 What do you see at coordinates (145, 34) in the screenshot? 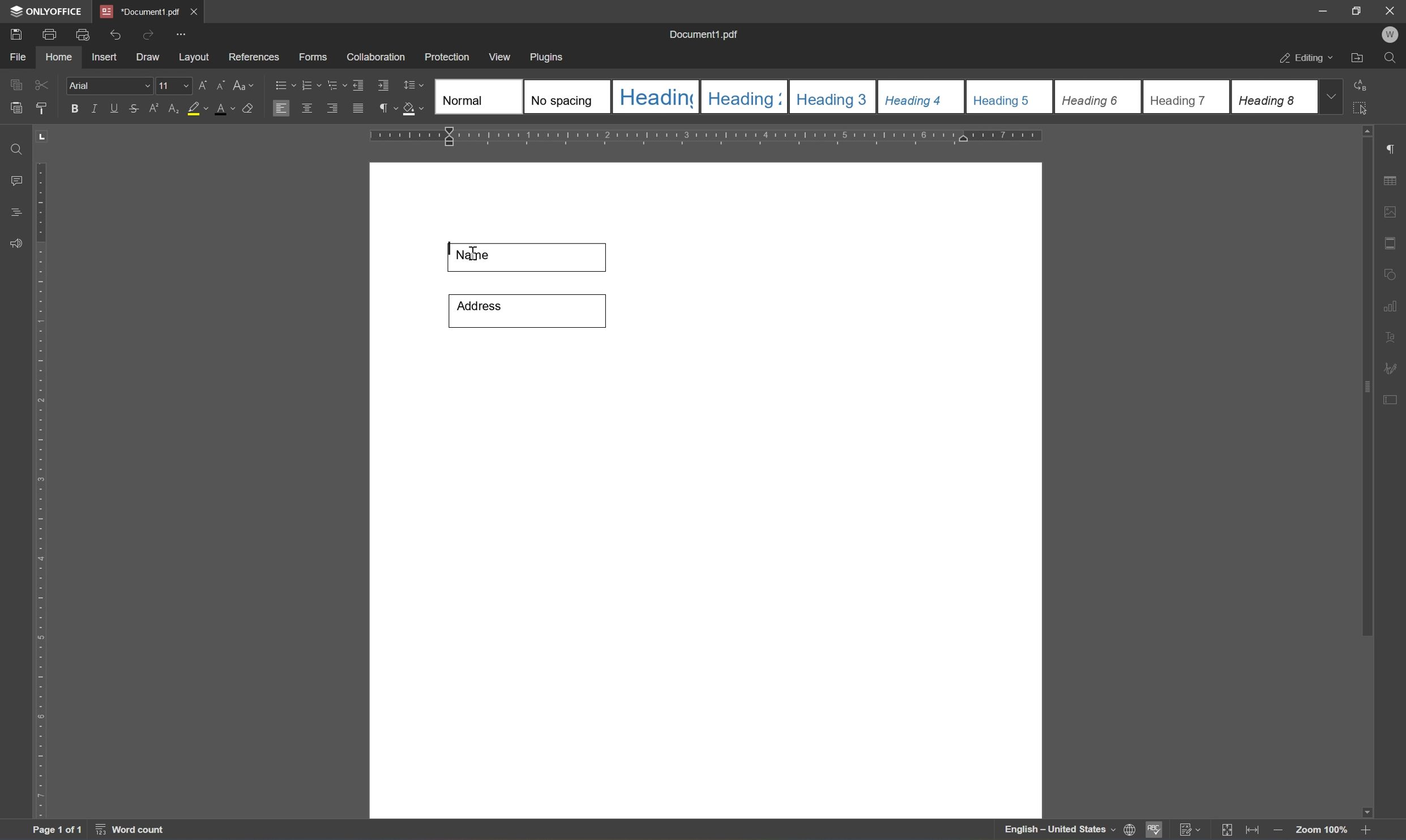
I see `redo` at bounding box center [145, 34].